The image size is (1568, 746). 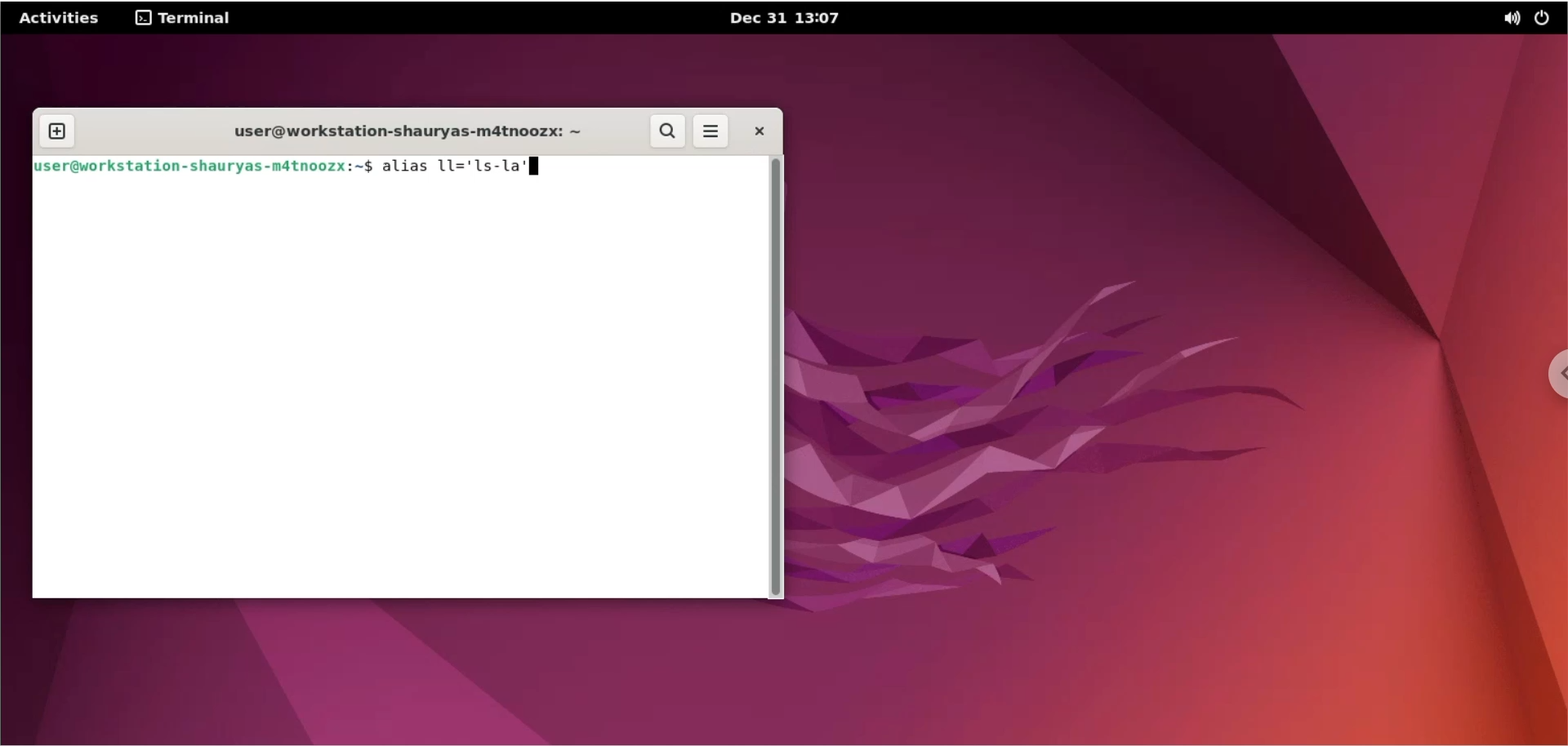 What do you see at coordinates (454, 167) in the screenshot?
I see `alias 11='1s-1la'` at bounding box center [454, 167].